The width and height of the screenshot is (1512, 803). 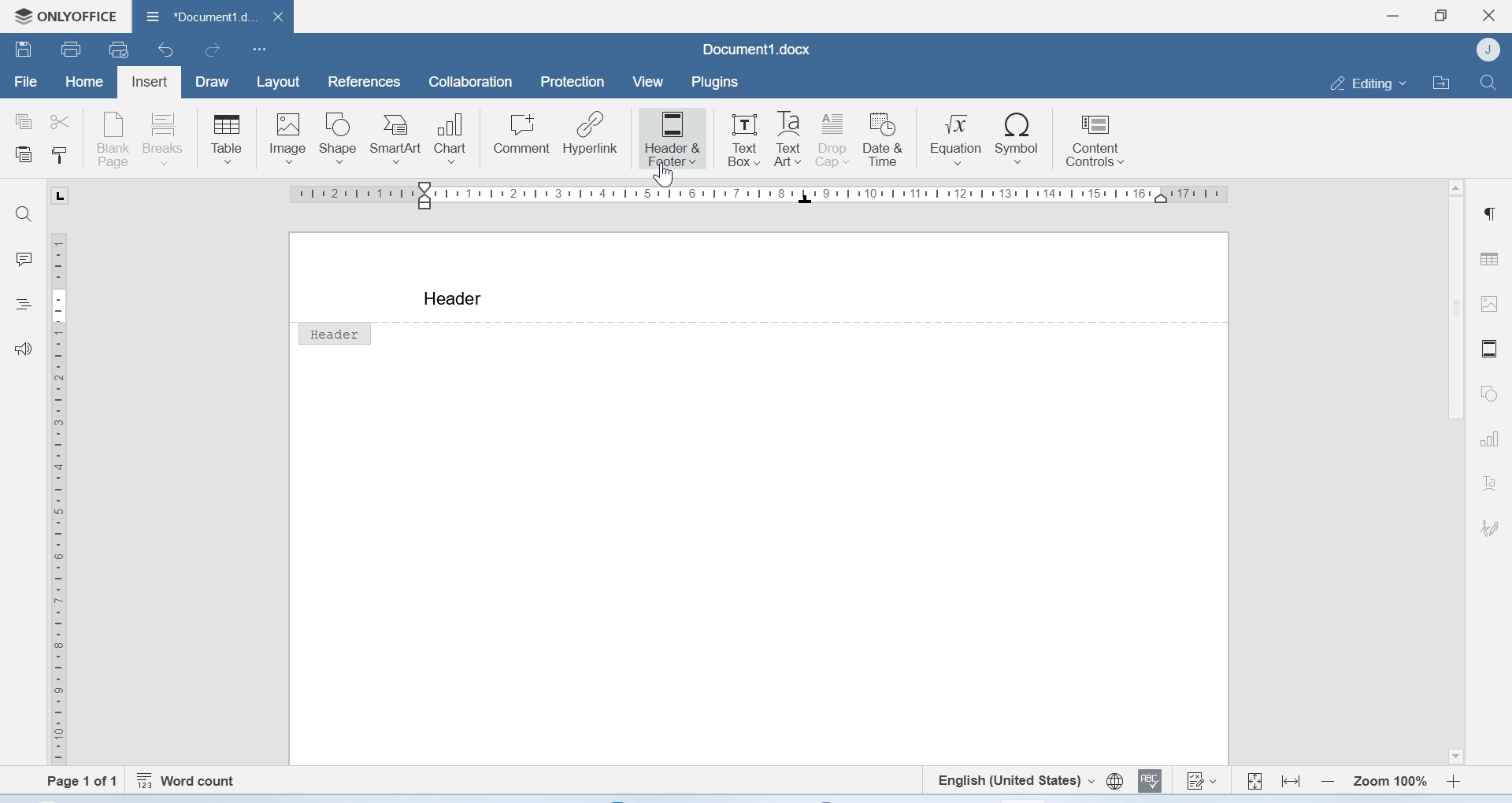 What do you see at coordinates (58, 195) in the screenshot?
I see `L` at bounding box center [58, 195].